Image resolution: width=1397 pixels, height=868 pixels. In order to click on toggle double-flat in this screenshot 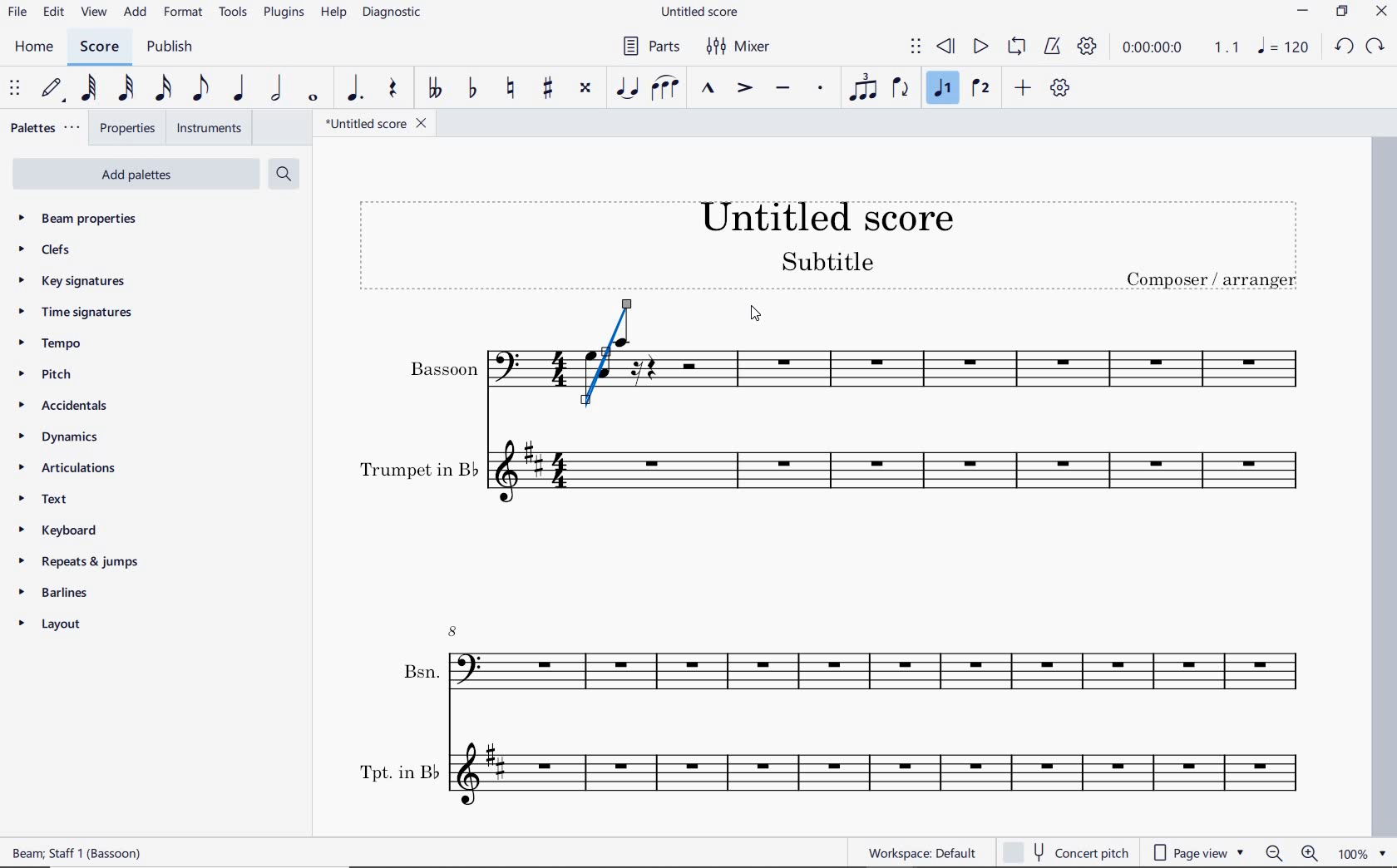, I will do `click(435, 89)`.